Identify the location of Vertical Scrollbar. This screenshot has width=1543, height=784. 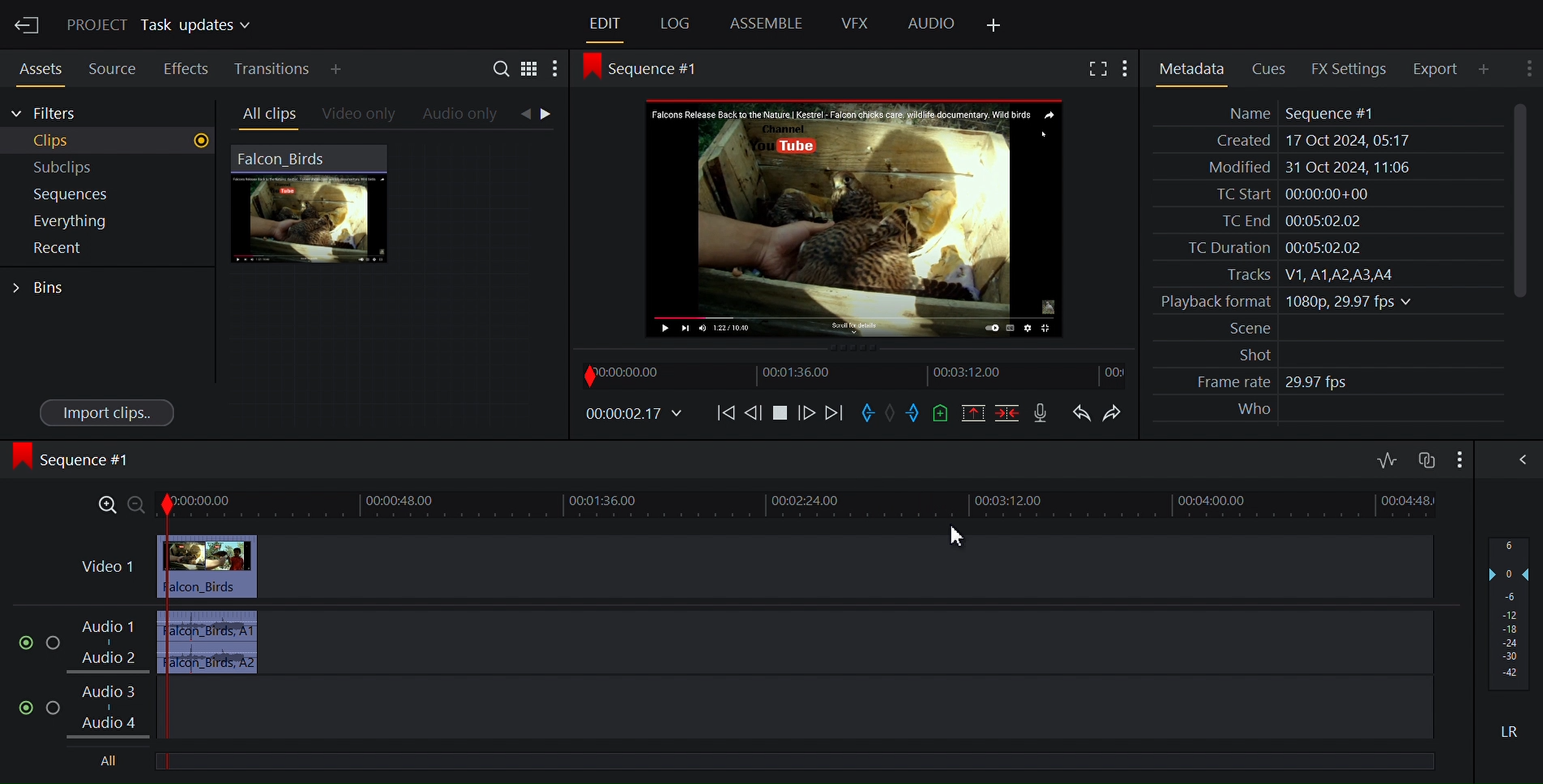
(1515, 201).